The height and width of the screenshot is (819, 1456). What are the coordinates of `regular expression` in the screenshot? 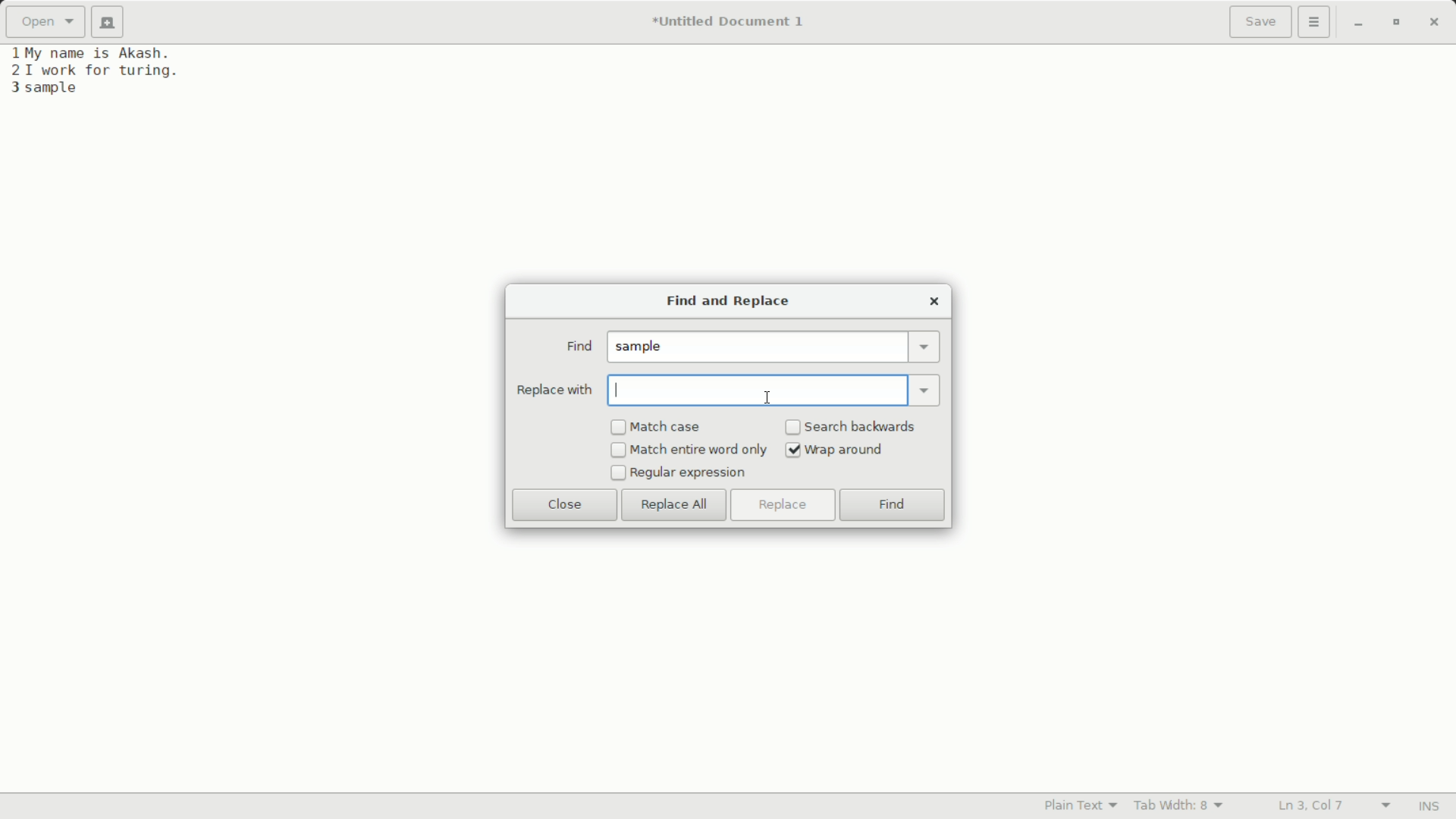 It's located at (689, 473).